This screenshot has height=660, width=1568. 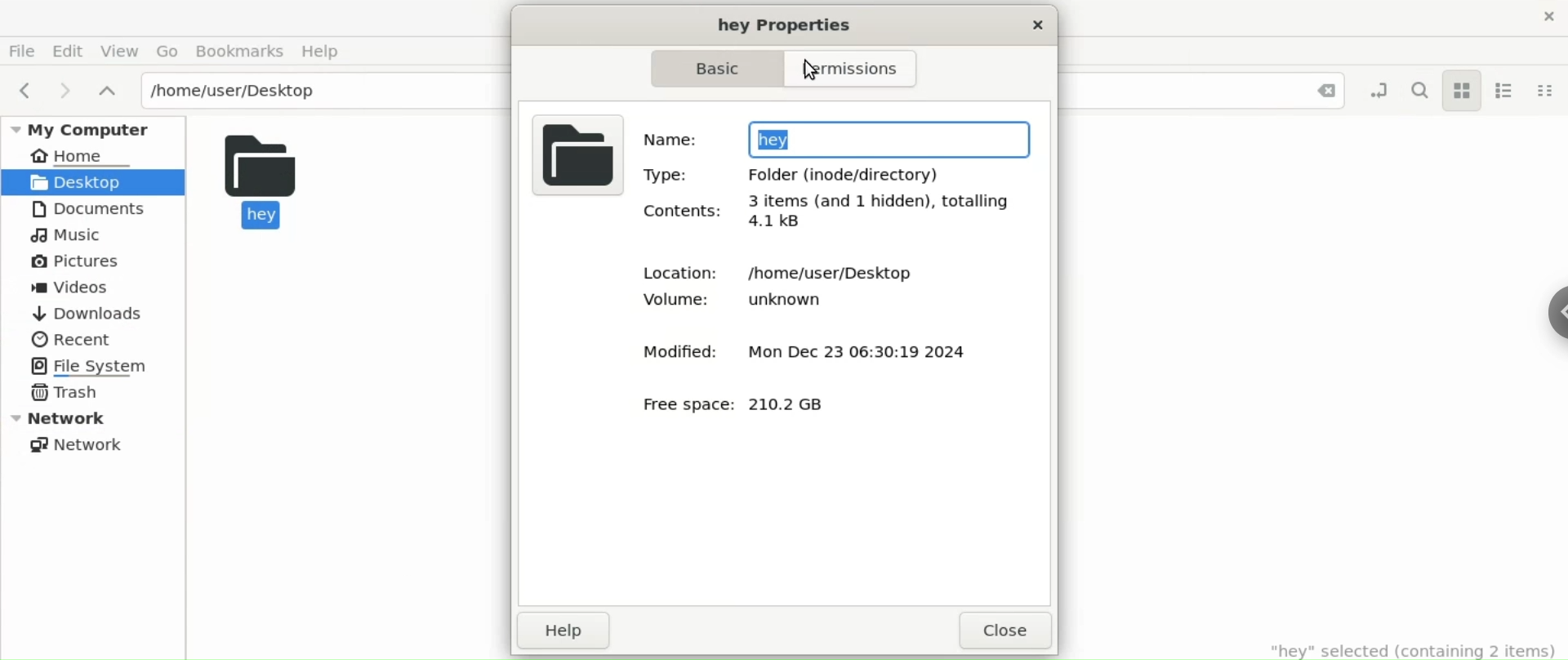 What do you see at coordinates (70, 49) in the screenshot?
I see `Edit` at bounding box center [70, 49].